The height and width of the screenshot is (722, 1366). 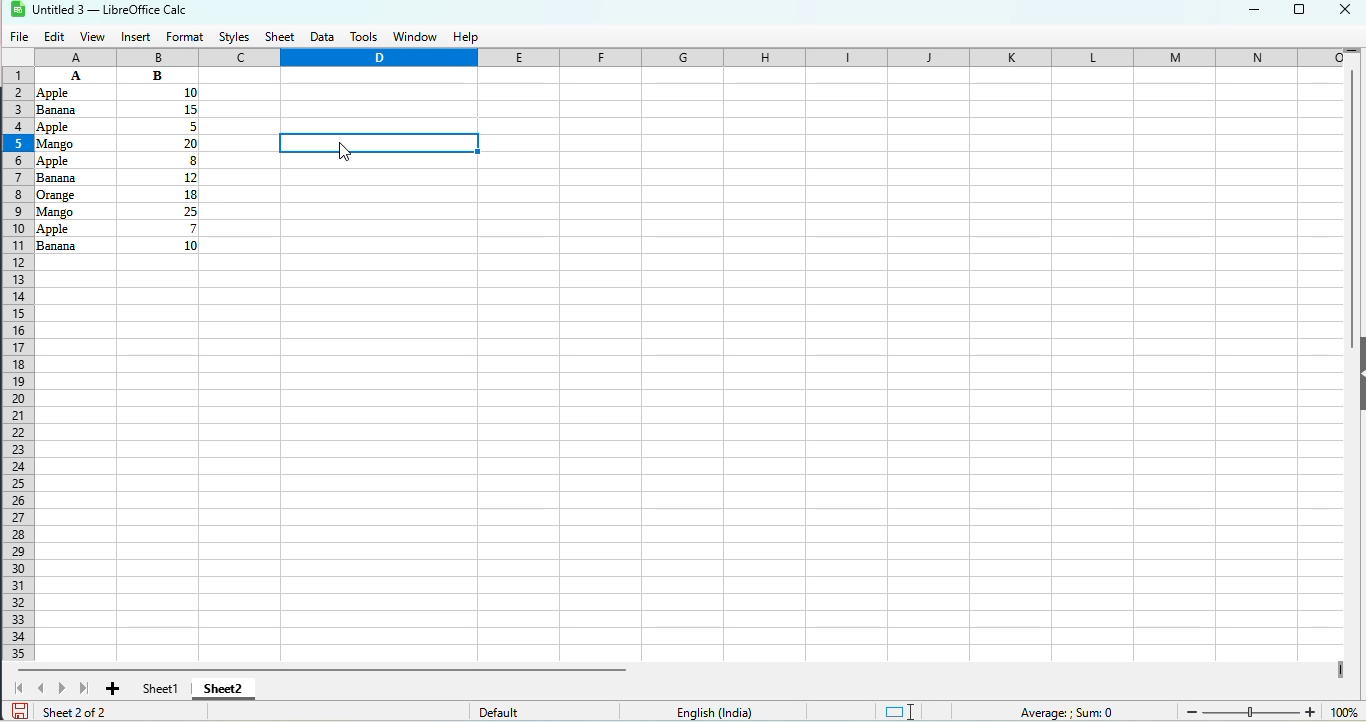 What do you see at coordinates (1357, 374) in the screenshot?
I see `show` at bounding box center [1357, 374].